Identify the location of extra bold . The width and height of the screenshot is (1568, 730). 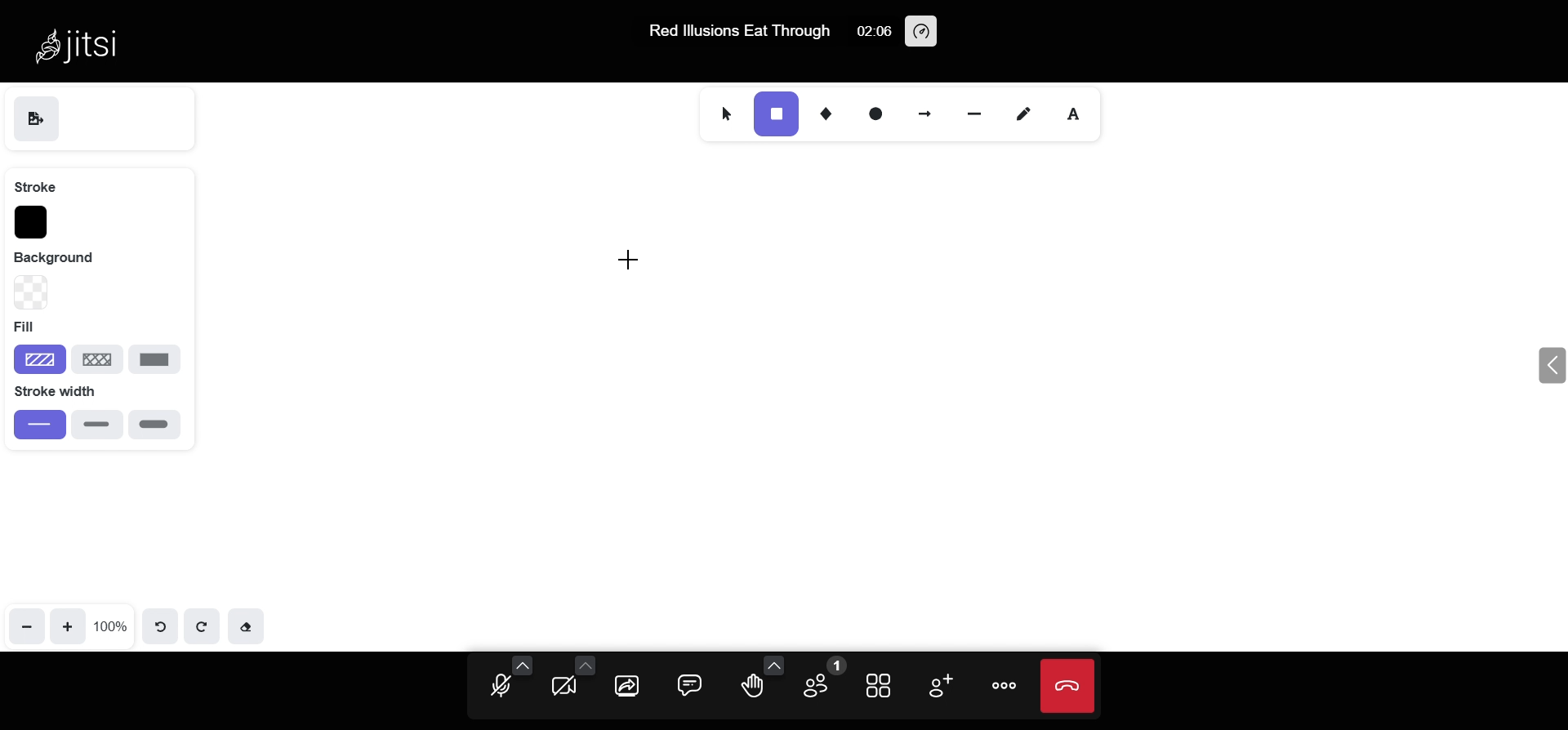
(154, 425).